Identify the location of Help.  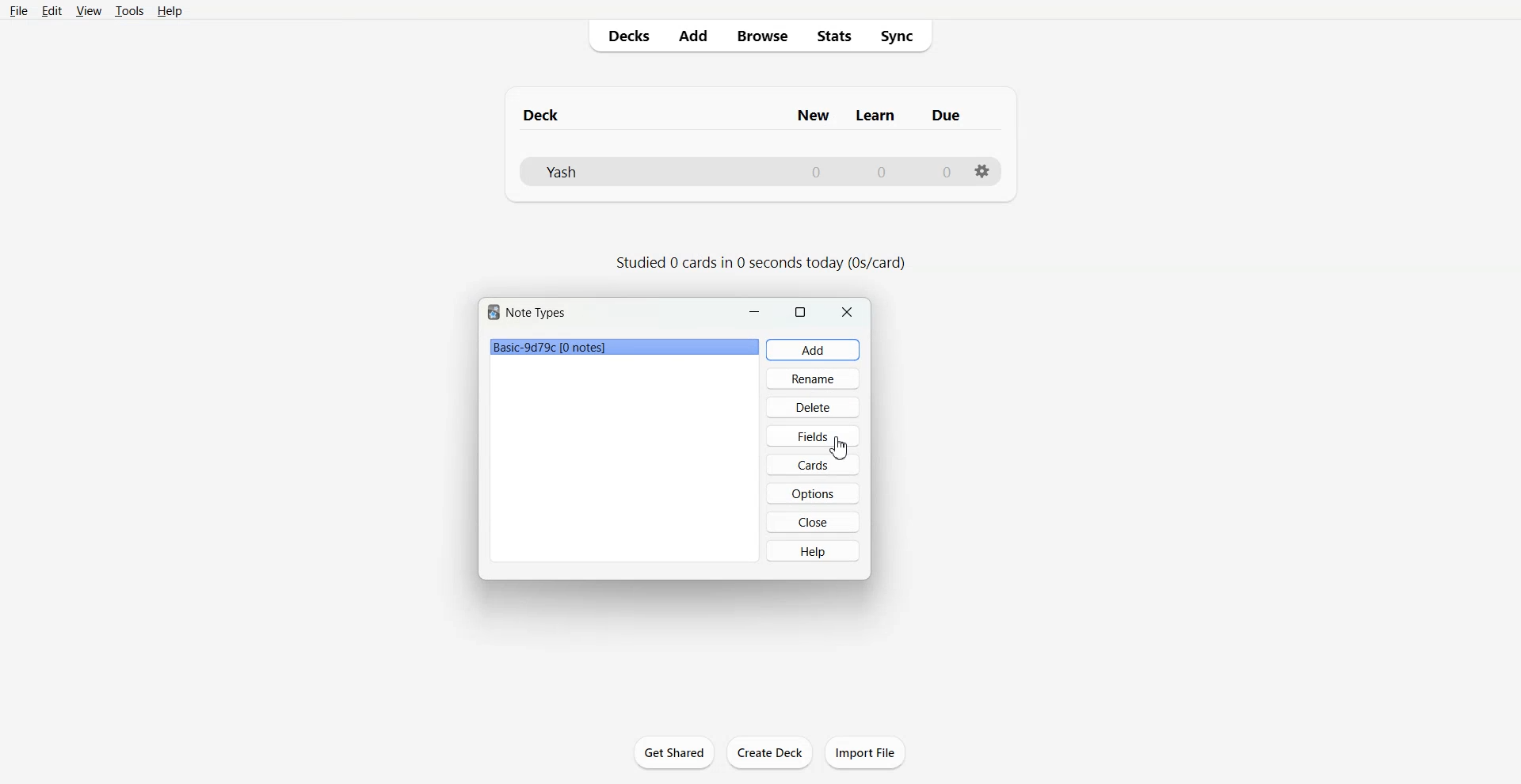
(170, 11).